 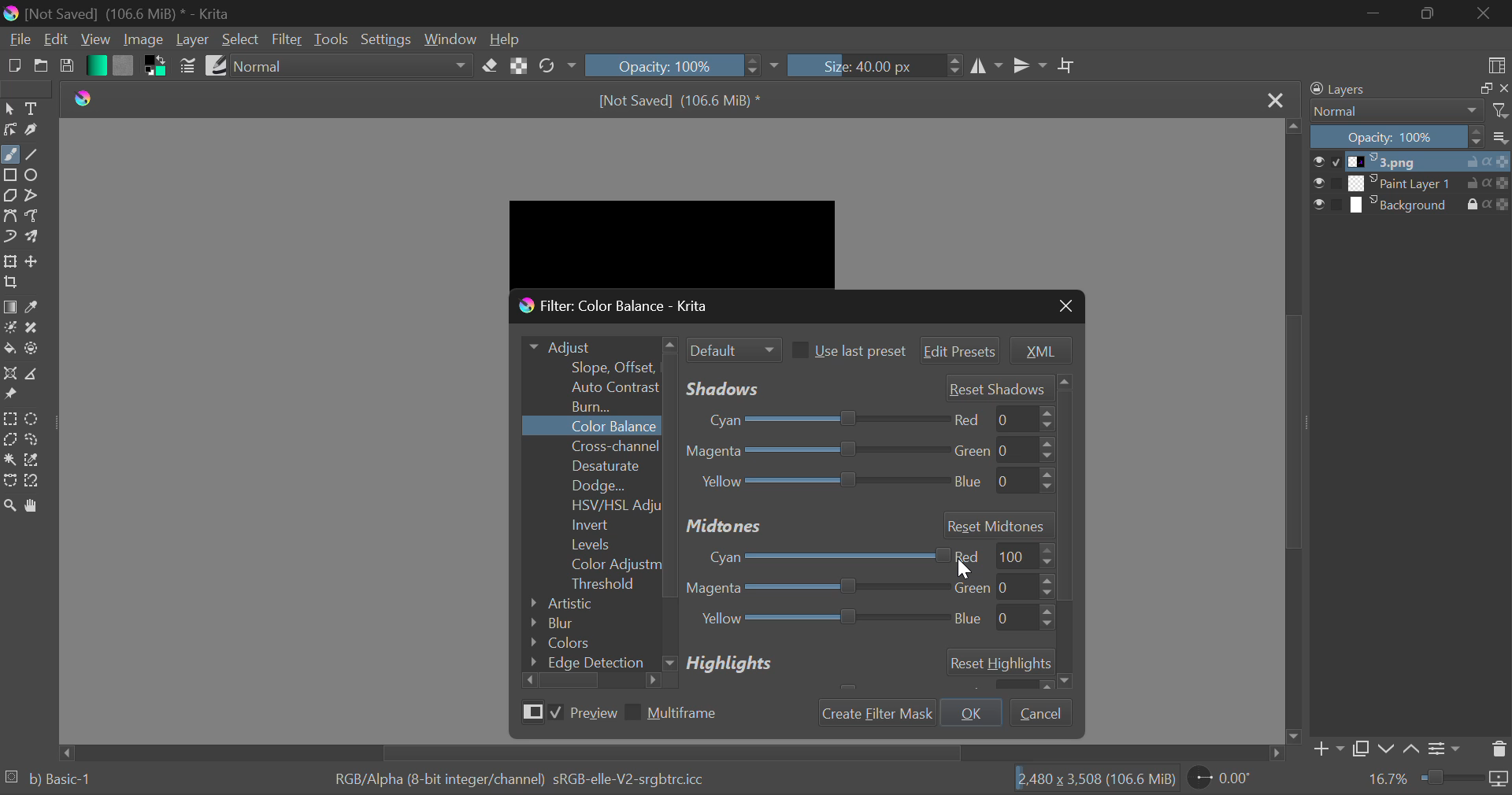 What do you see at coordinates (815, 420) in the screenshot?
I see `Cyan-Red Slider` at bounding box center [815, 420].